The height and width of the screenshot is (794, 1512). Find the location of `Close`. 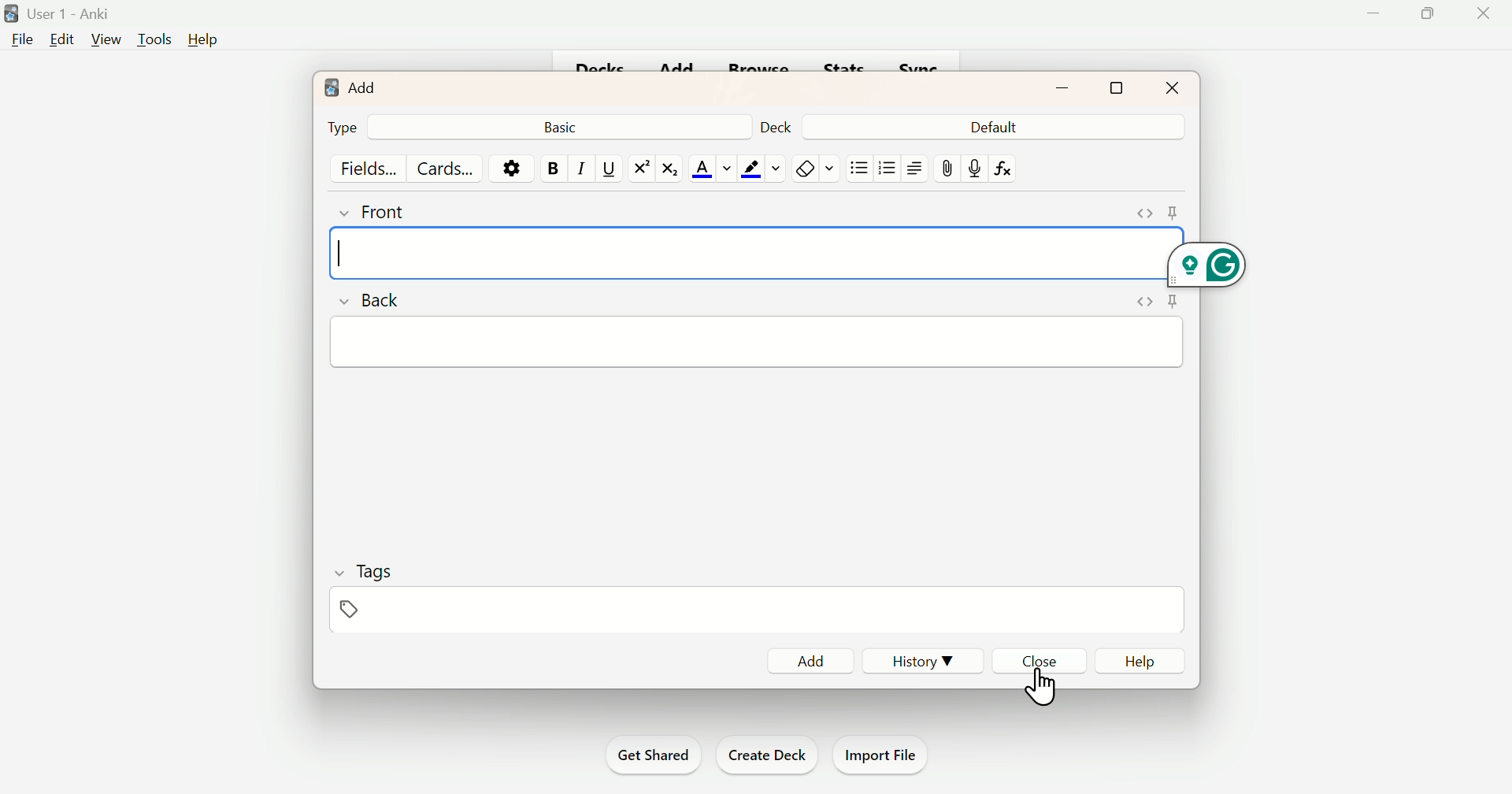

Close is located at coordinates (1173, 87).